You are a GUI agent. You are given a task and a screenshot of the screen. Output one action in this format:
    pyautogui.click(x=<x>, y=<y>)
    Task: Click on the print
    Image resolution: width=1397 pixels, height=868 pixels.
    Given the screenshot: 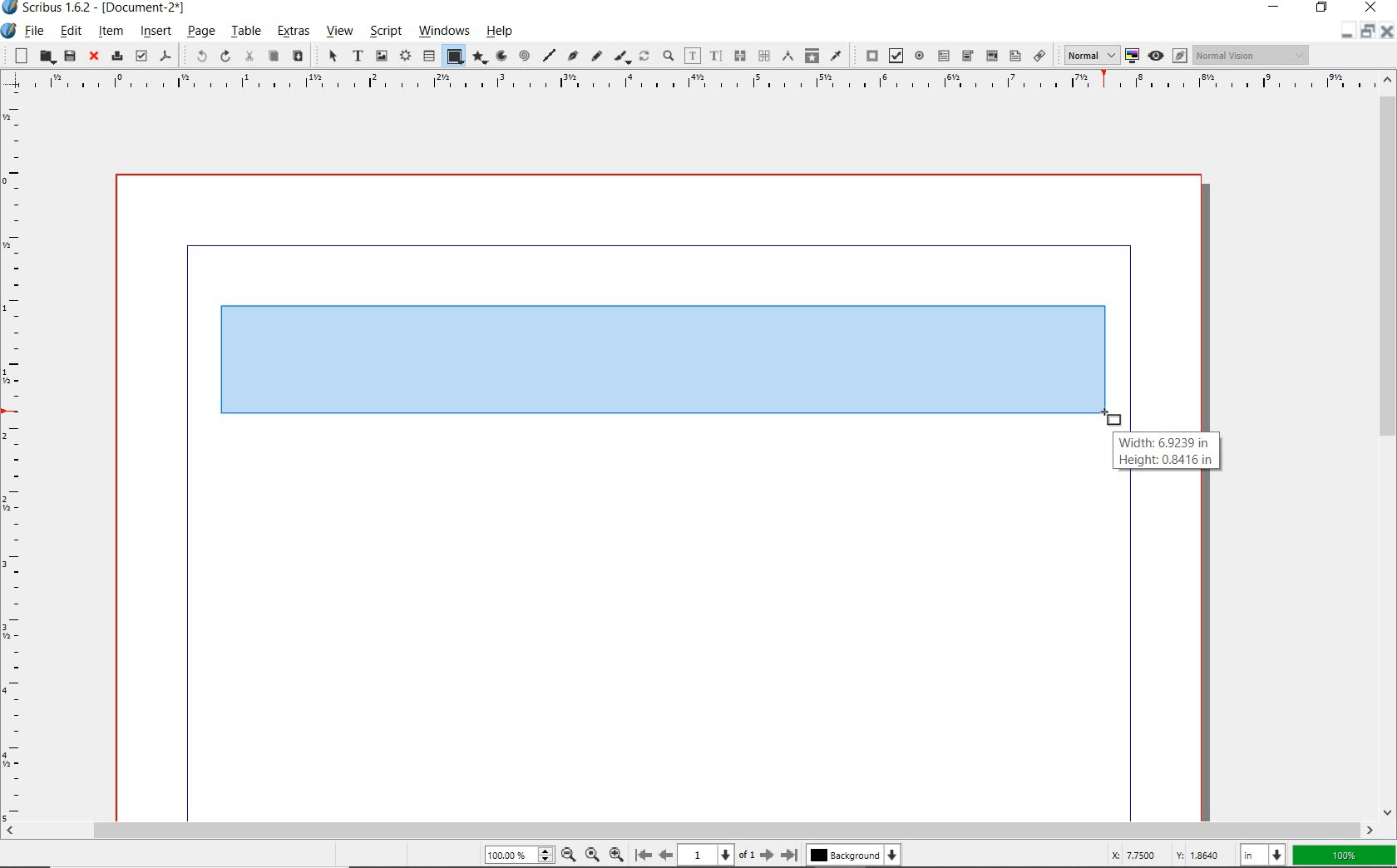 What is the action you would take?
    pyautogui.click(x=116, y=56)
    